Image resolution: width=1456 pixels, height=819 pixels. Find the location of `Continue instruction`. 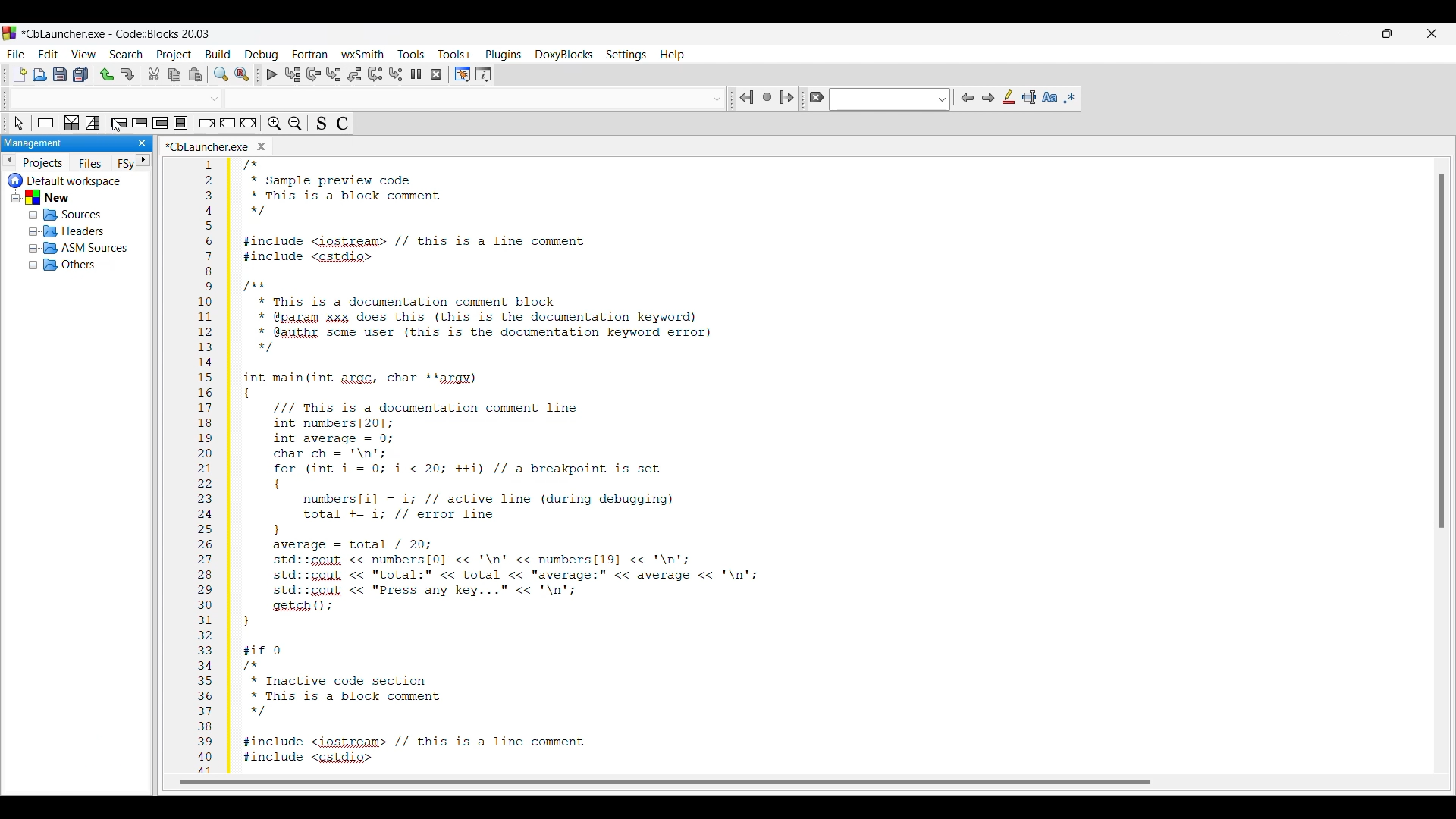

Continue instruction is located at coordinates (228, 123).